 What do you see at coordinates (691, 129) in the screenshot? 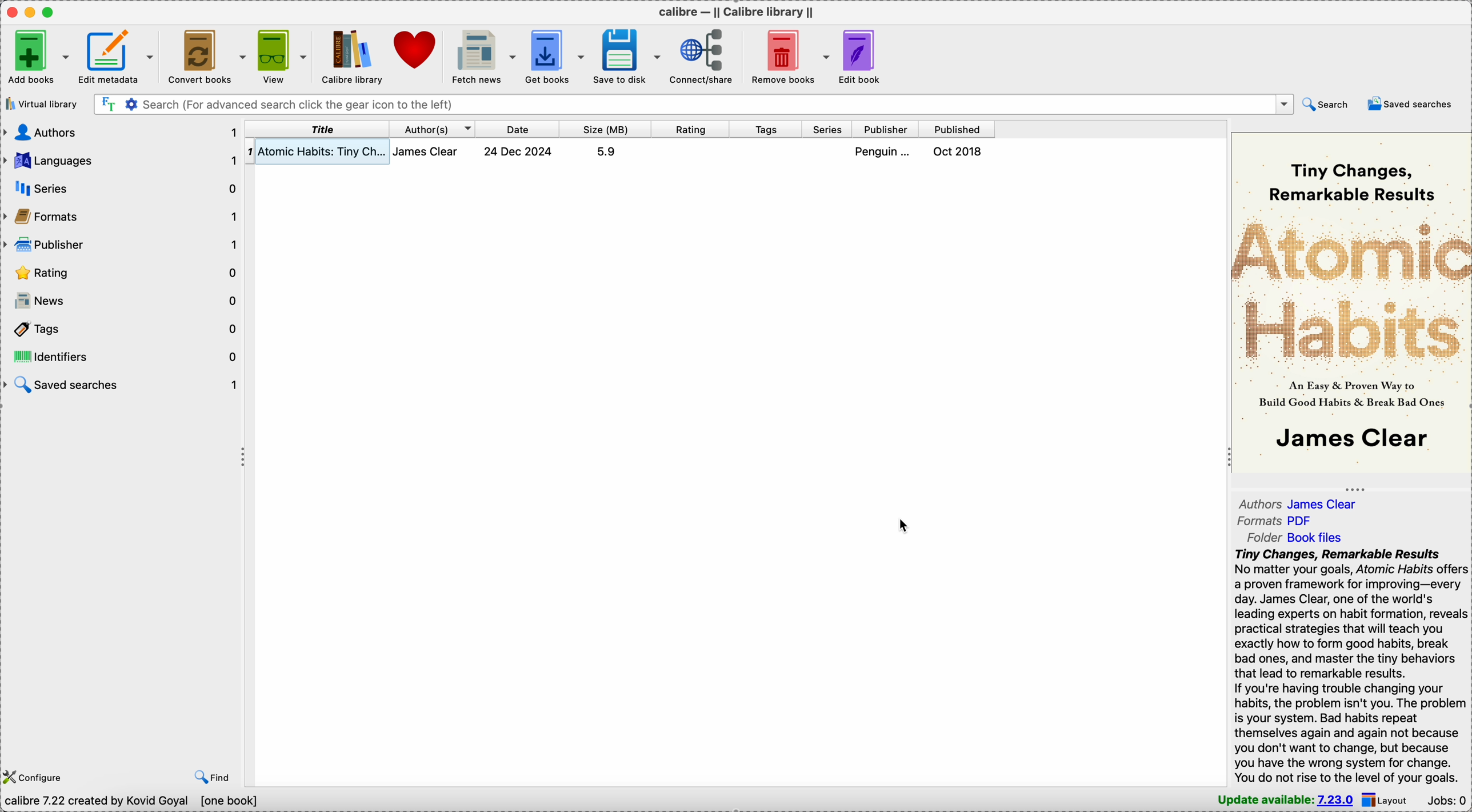
I see `rating` at bounding box center [691, 129].